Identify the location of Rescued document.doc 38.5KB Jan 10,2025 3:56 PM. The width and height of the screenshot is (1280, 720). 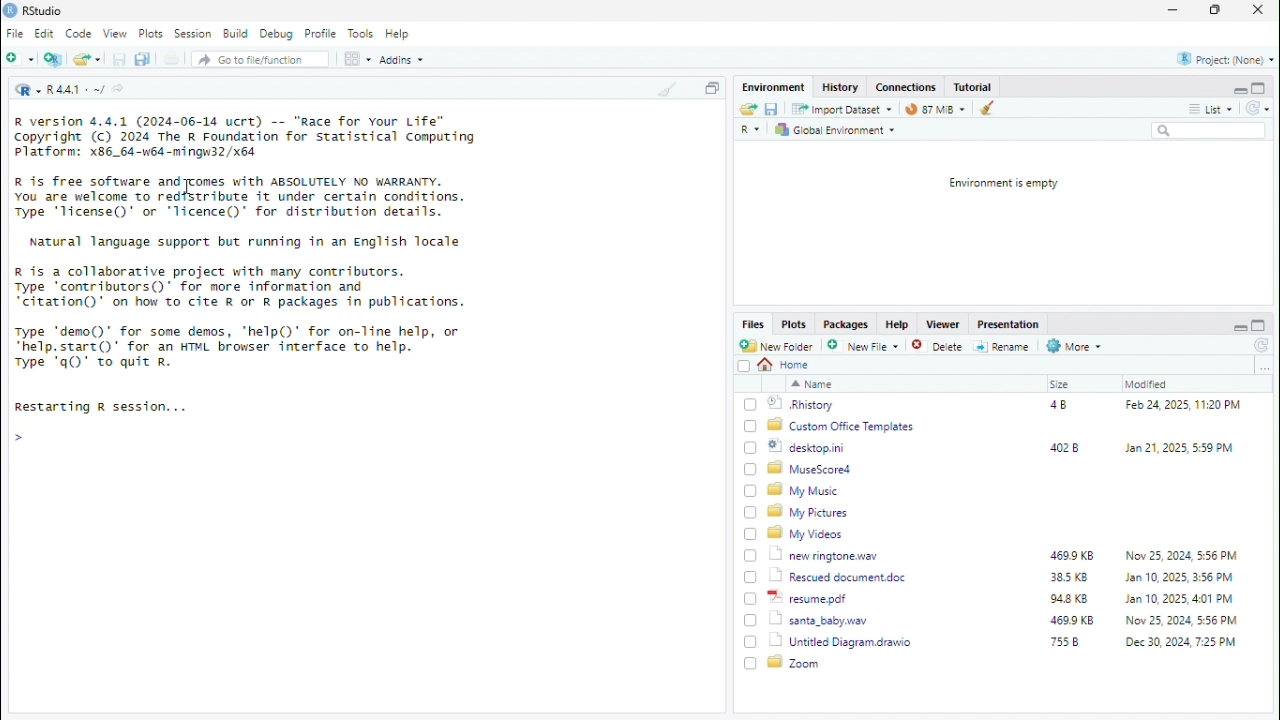
(1005, 576).